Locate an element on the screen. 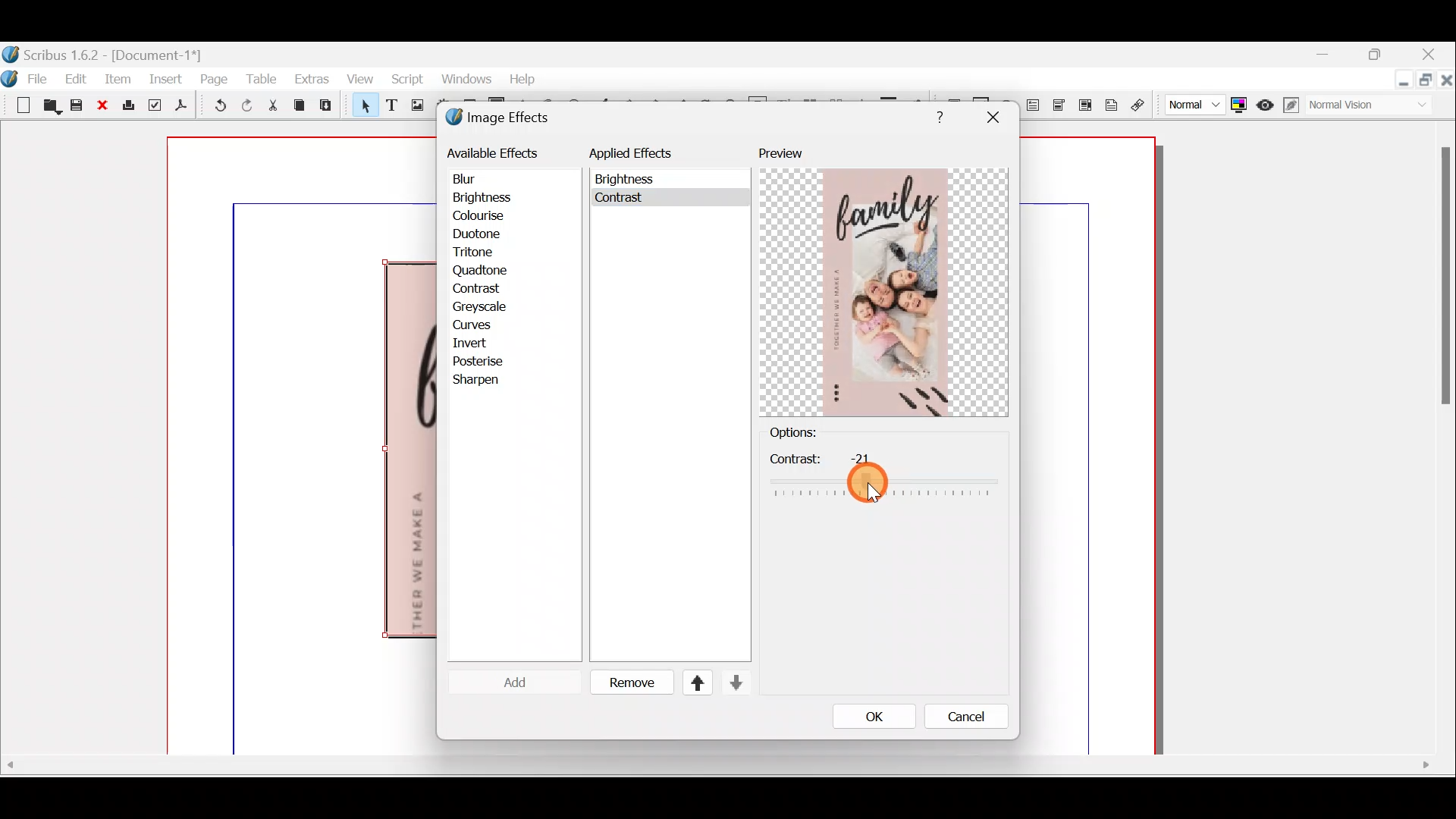 The width and height of the screenshot is (1456, 819). Options is located at coordinates (818, 431).